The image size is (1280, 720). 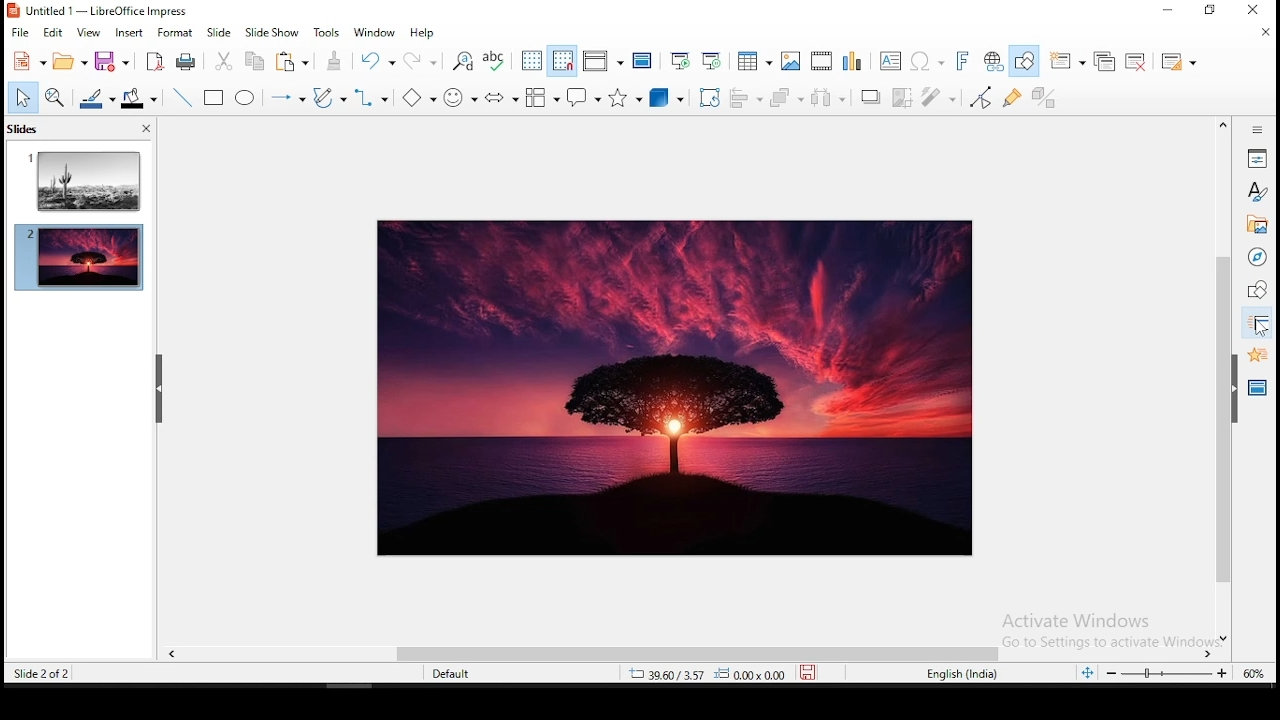 What do you see at coordinates (750, 97) in the screenshot?
I see `align objects` at bounding box center [750, 97].